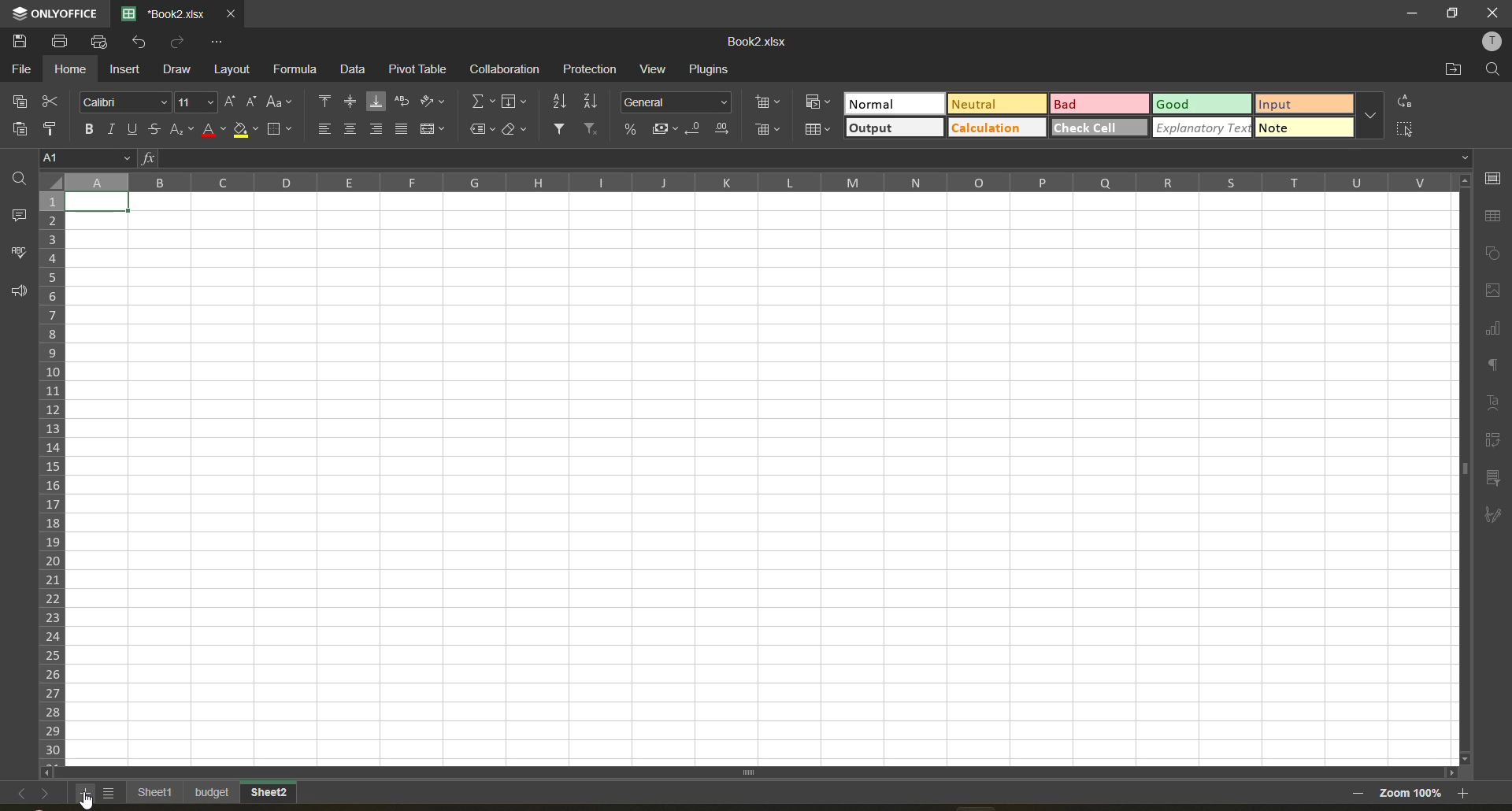  Describe the element at coordinates (20, 42) in the screenshot. I see `save` at that location.